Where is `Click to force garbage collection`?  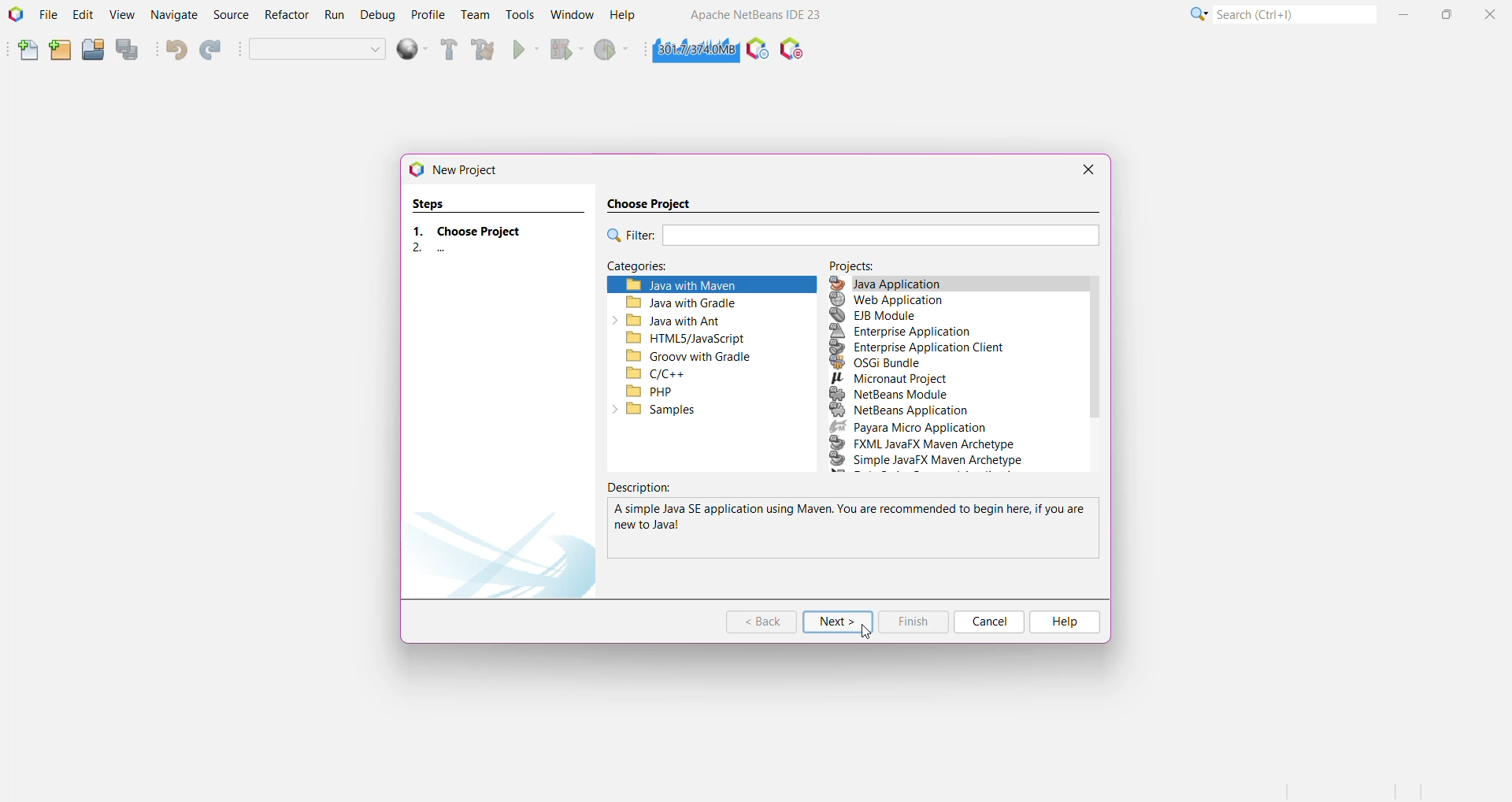 Click to force garbage collection is located at coordinates (692, 50).